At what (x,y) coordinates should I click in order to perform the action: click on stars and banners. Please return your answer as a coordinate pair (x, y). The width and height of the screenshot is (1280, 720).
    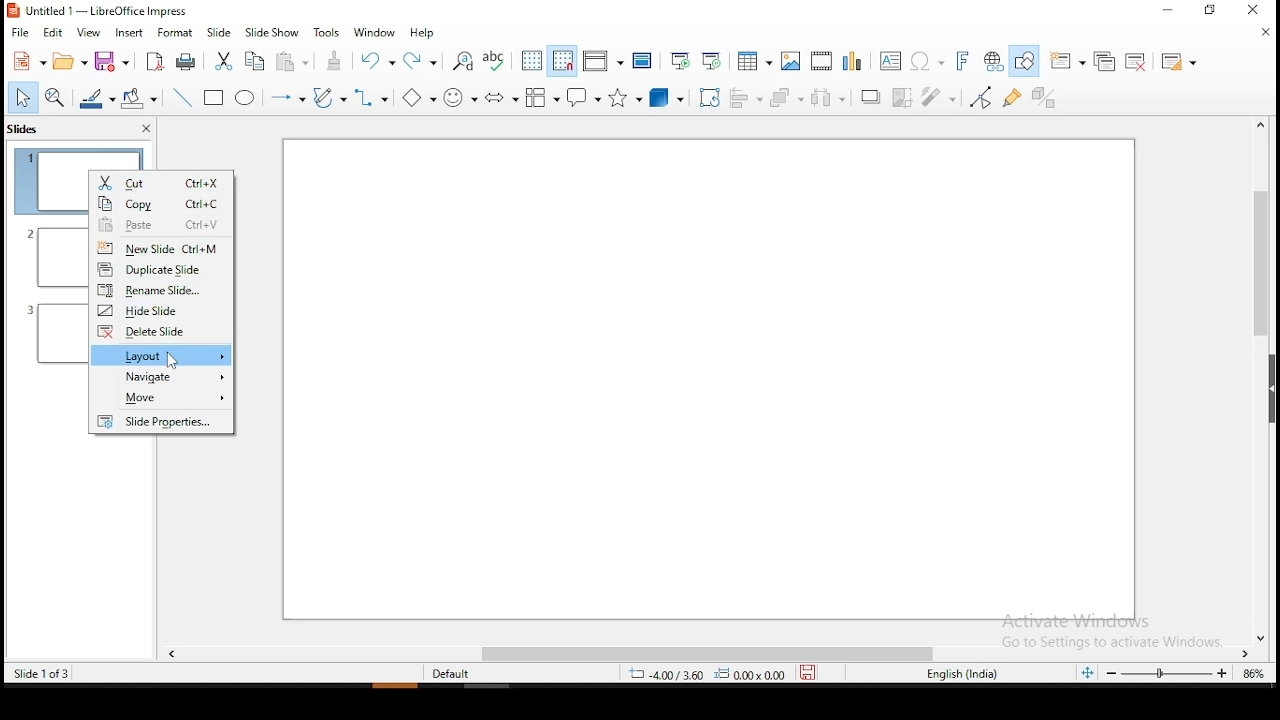
    Looking at the image, I should click on (626, 99).